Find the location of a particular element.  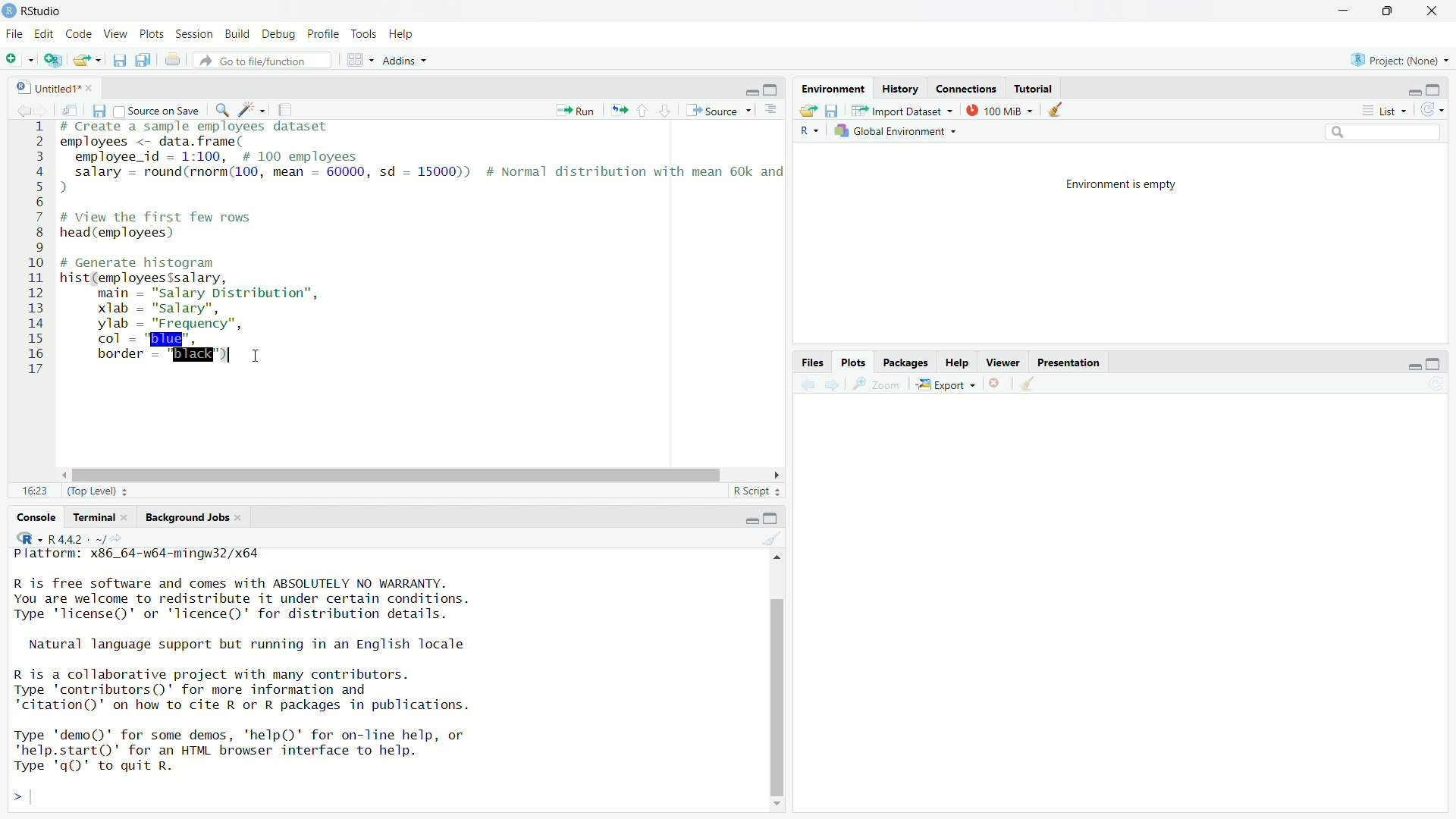

View is located at coordinates (116, 34).